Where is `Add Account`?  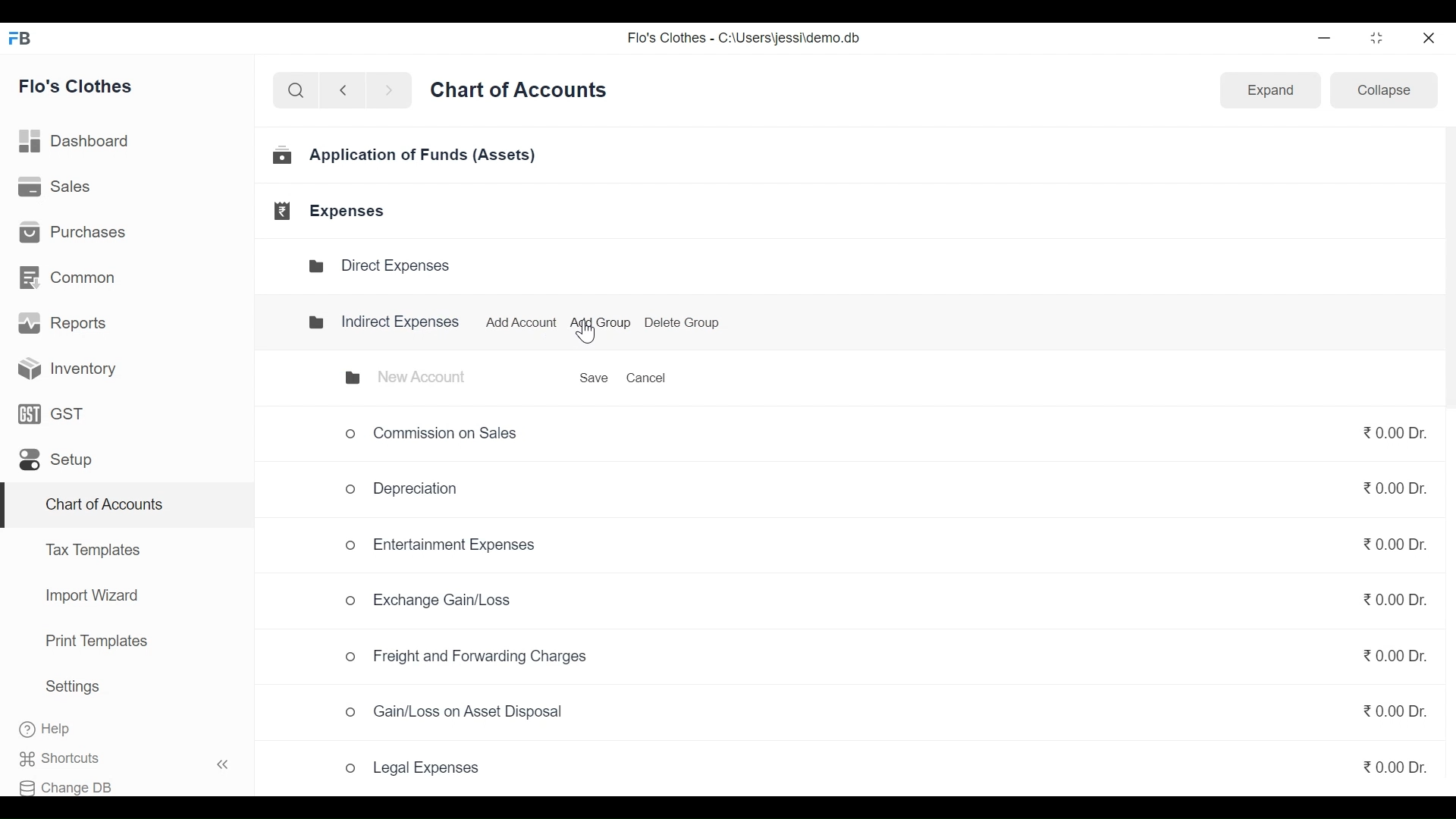 Add Account is located at coordinates (517, 319).